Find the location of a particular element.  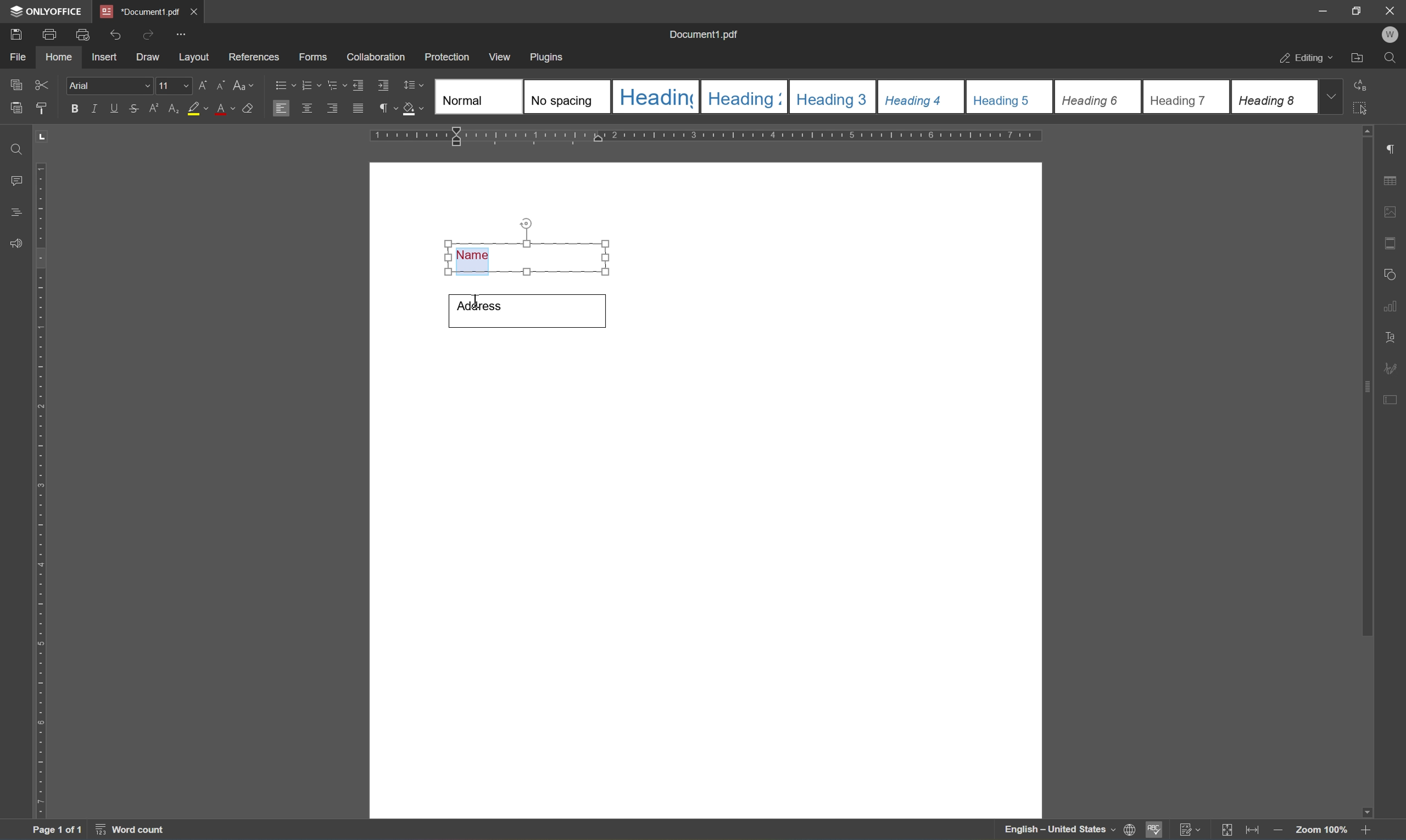

headings is located at coordinates (18, 209).